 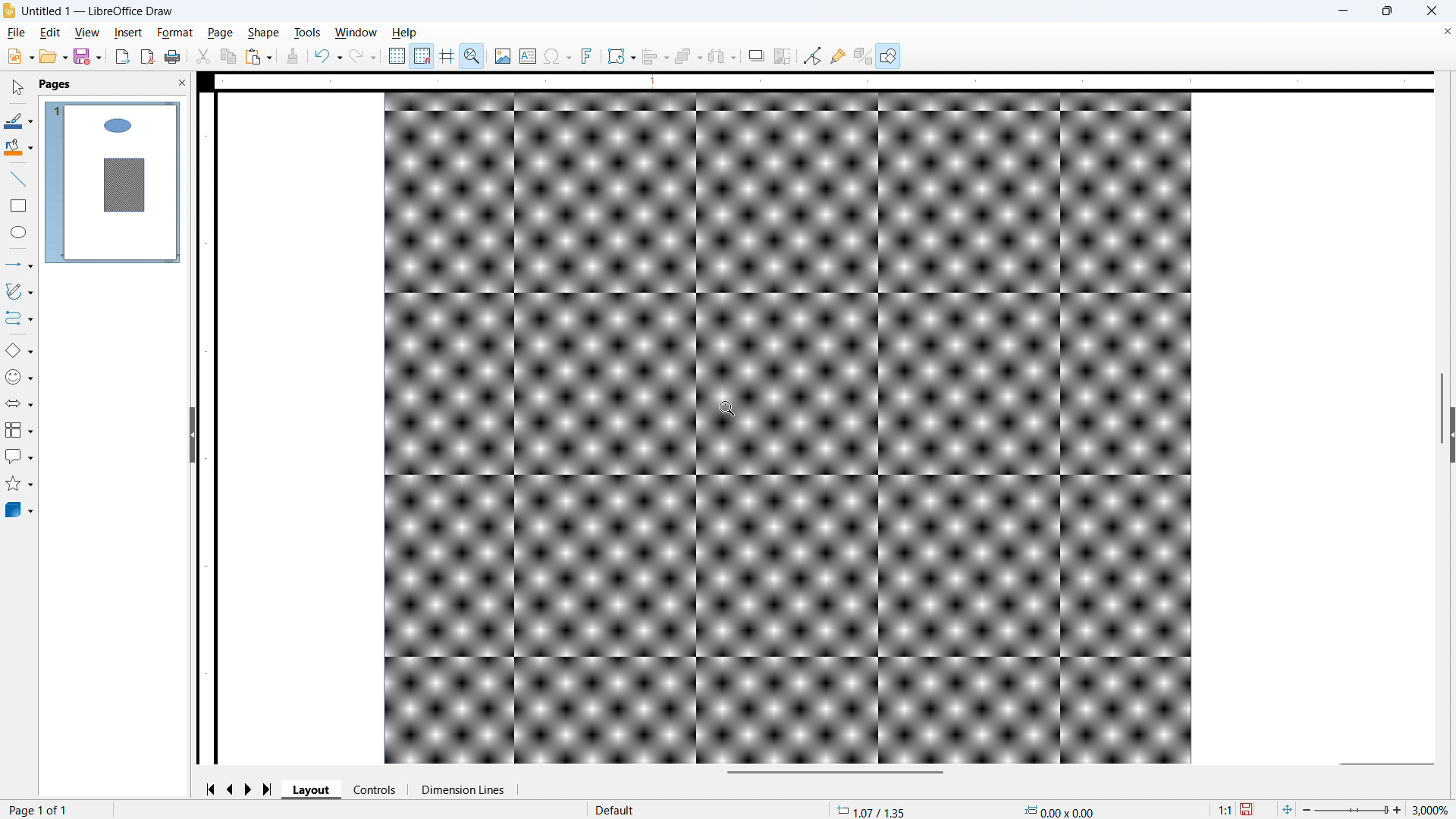 I want to click on Undo , so click(x=328, y=56).